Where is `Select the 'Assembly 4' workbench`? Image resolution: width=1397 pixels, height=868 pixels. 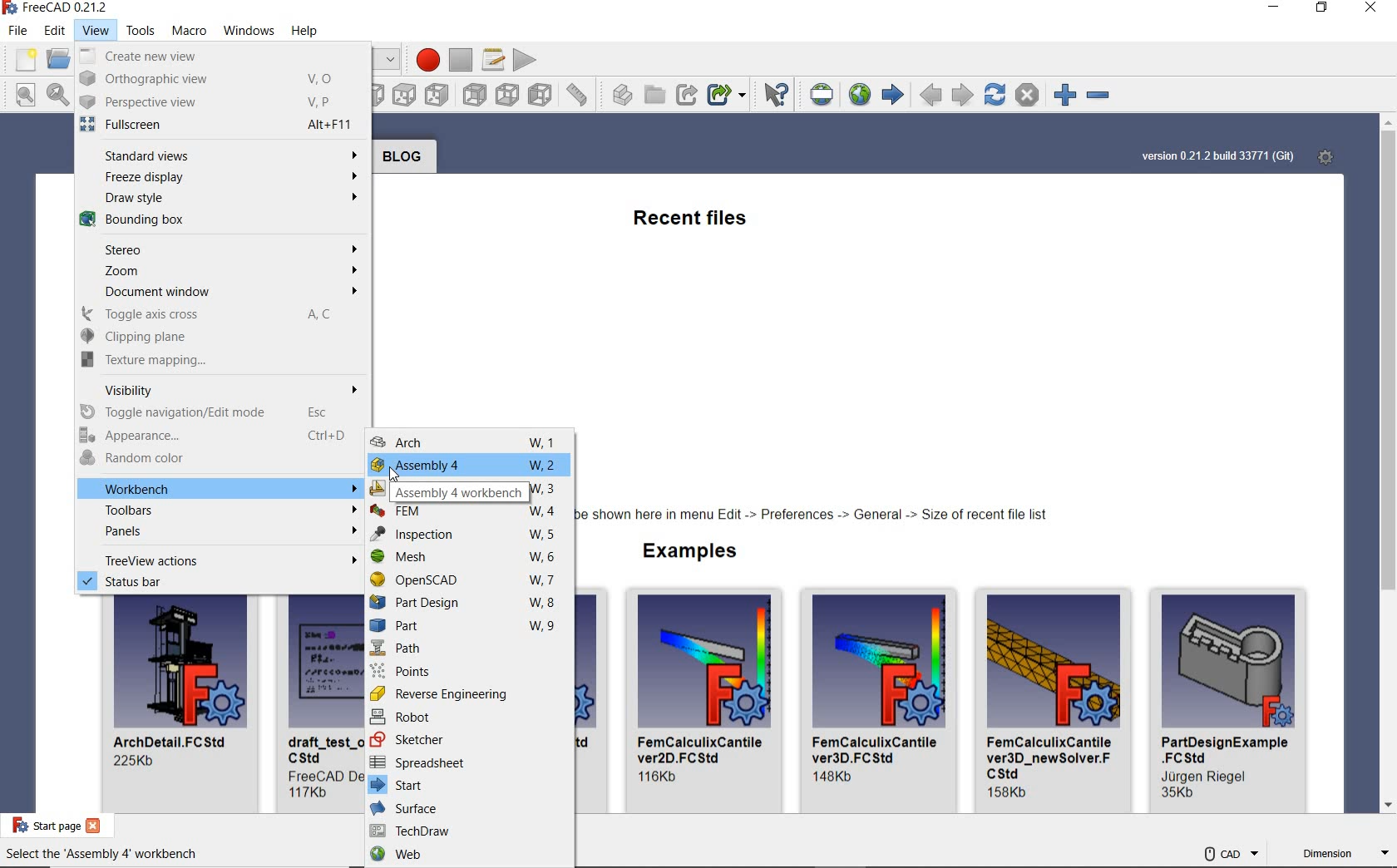
Select the 'Assembly 4' workbench is located at coordinates (105, 855).